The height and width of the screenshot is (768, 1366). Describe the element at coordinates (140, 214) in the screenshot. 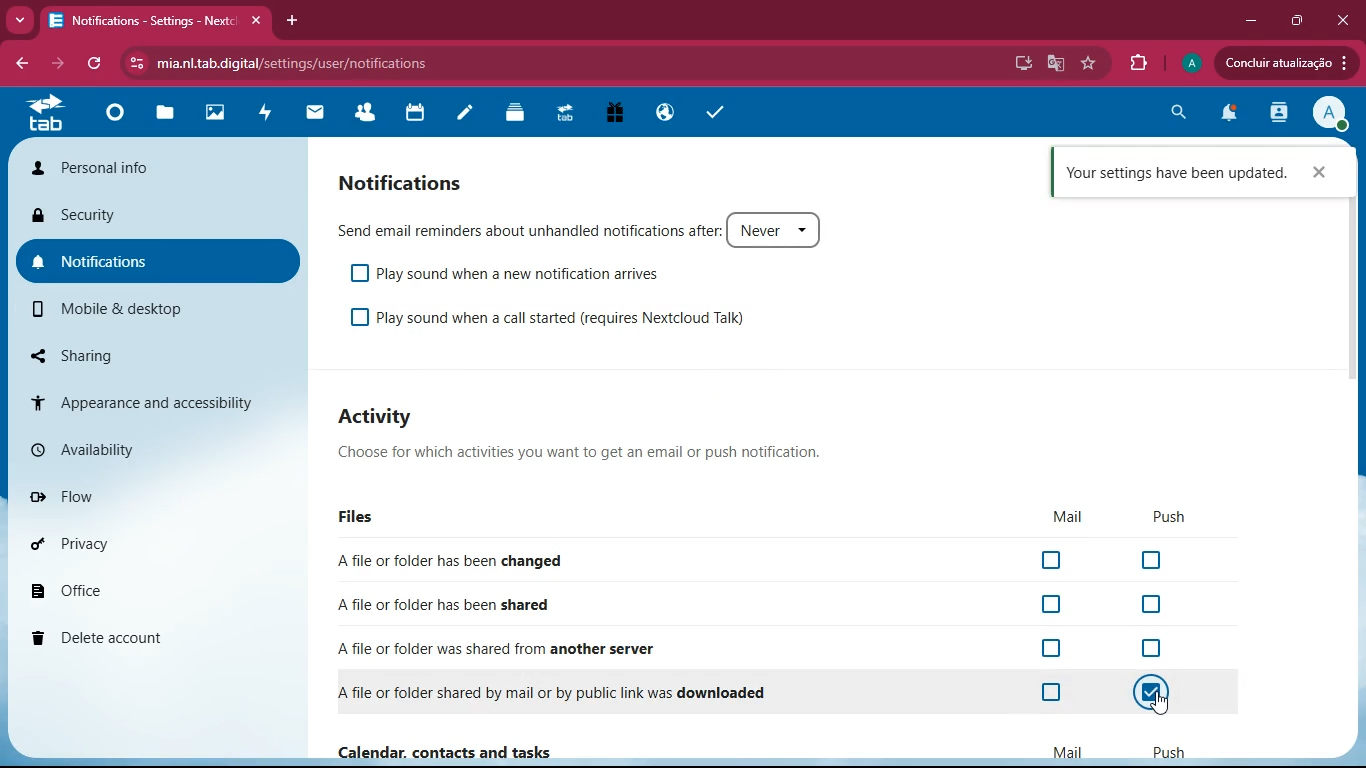

I see `security` at that location.